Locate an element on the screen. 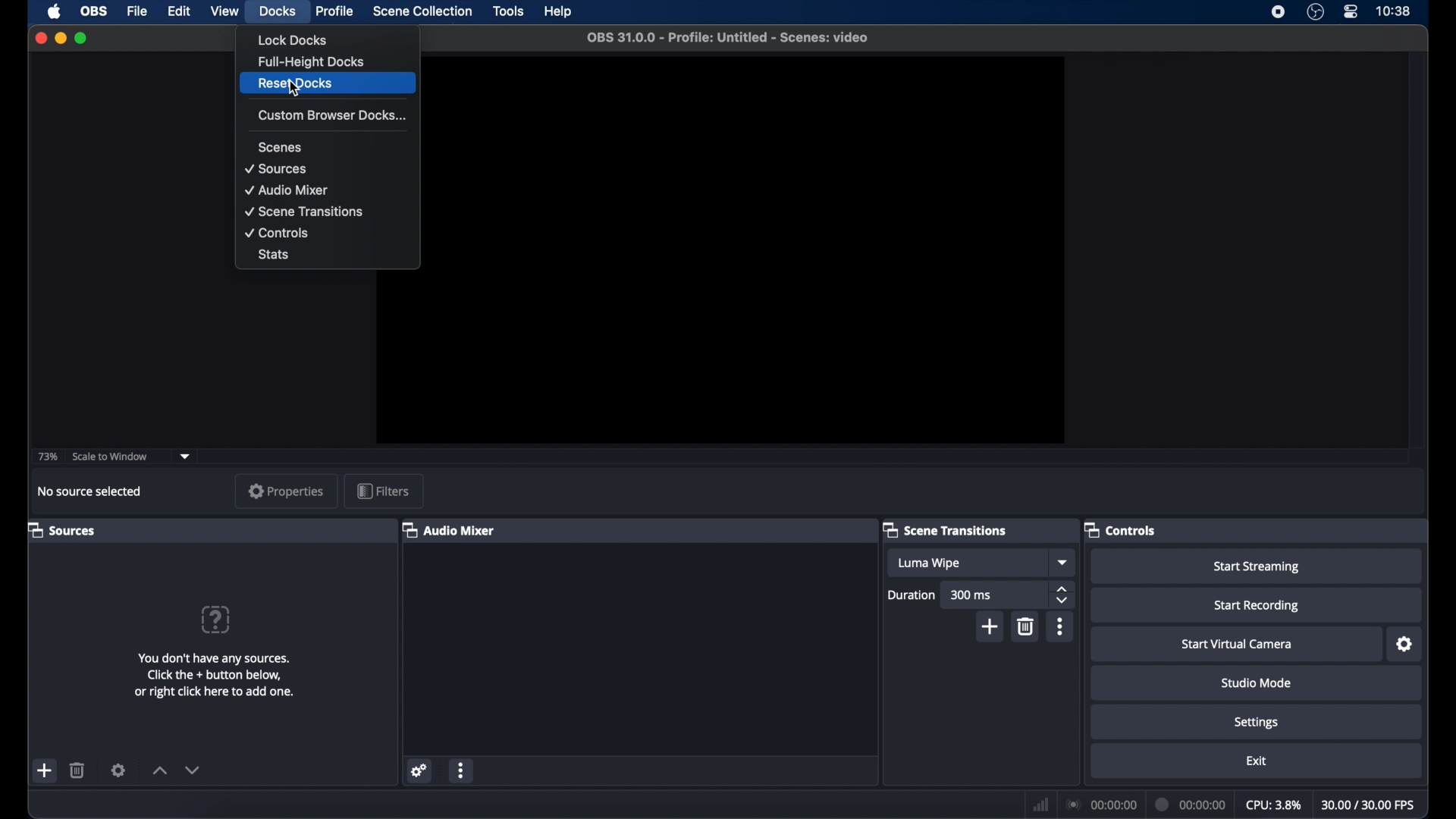 The image size is (1456, 819). apple icon is located at coordinates (54, 11).